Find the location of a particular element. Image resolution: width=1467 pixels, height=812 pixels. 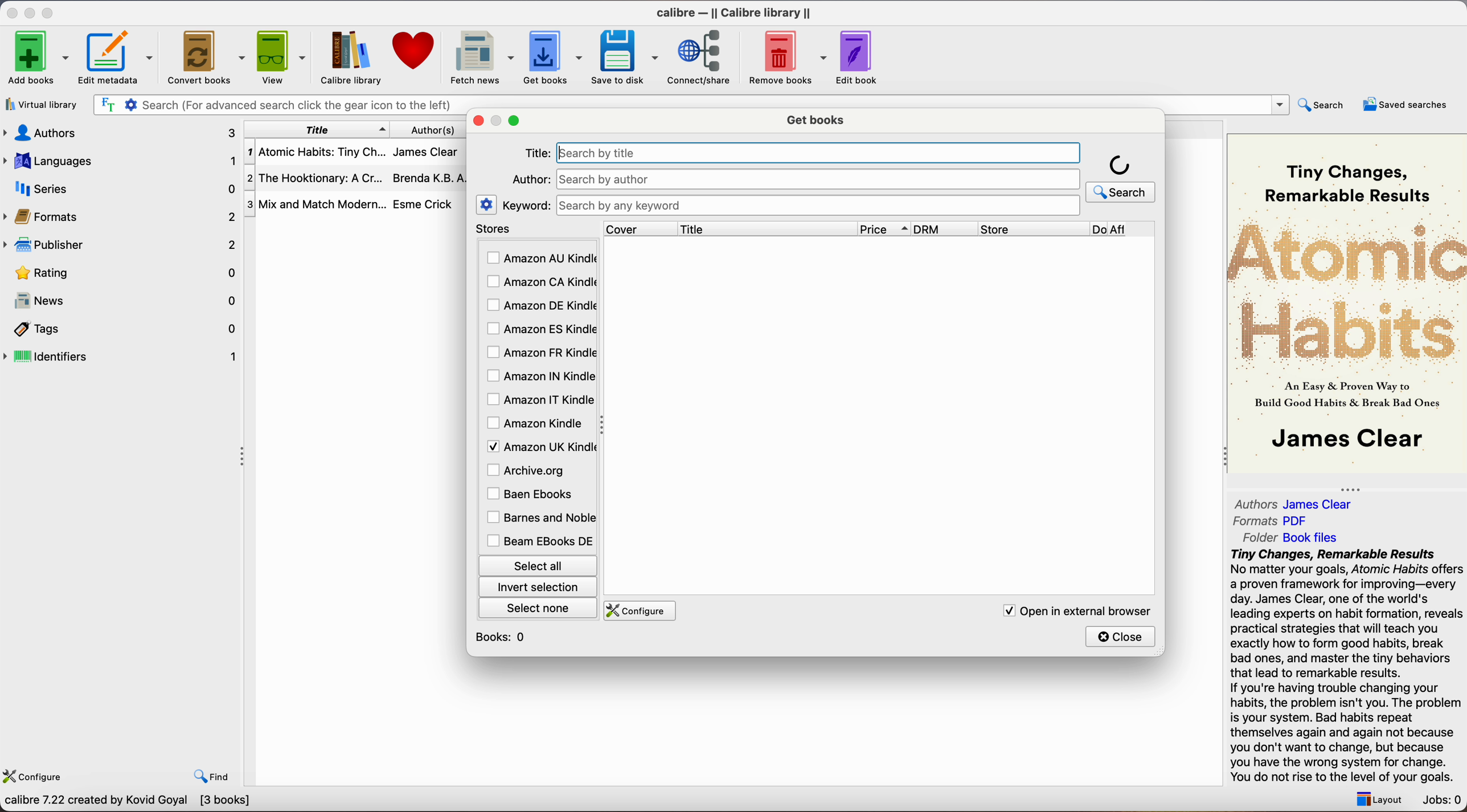

configure is located at coordinates (637, 611).